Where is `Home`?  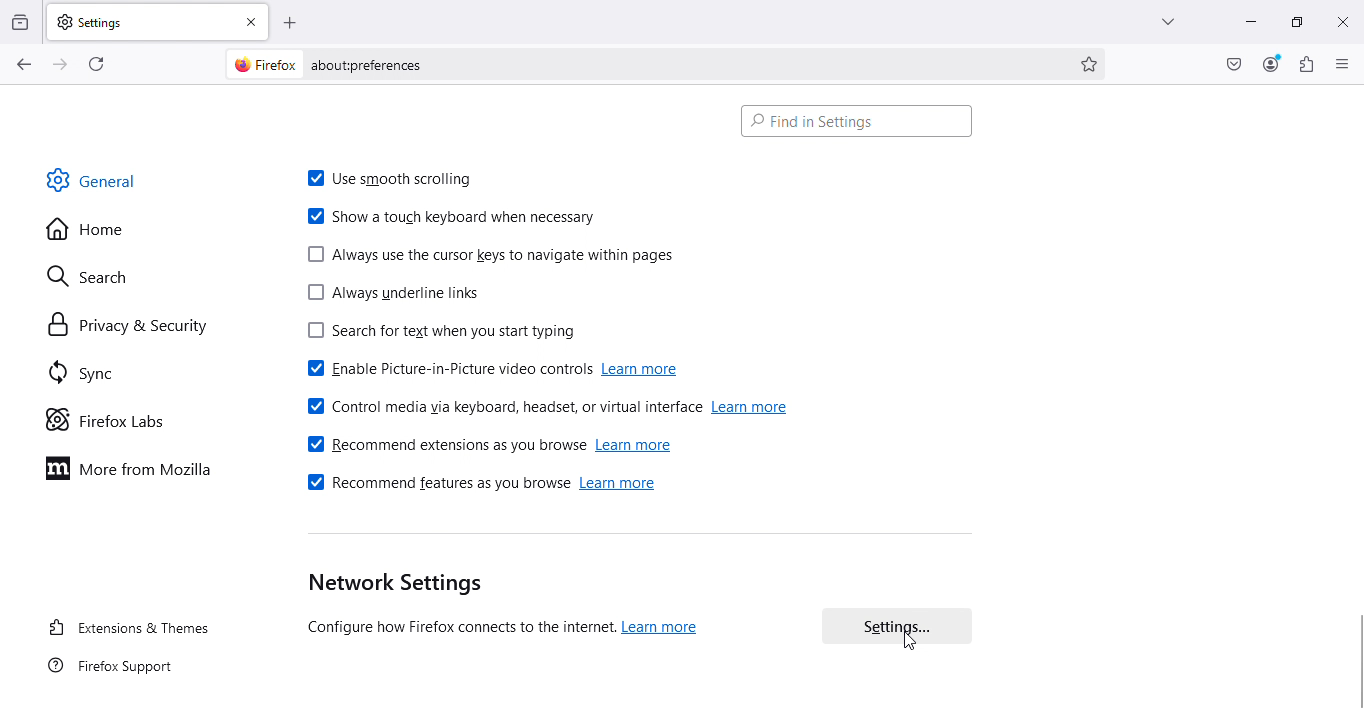
Home is located at coordinates (86, 230).